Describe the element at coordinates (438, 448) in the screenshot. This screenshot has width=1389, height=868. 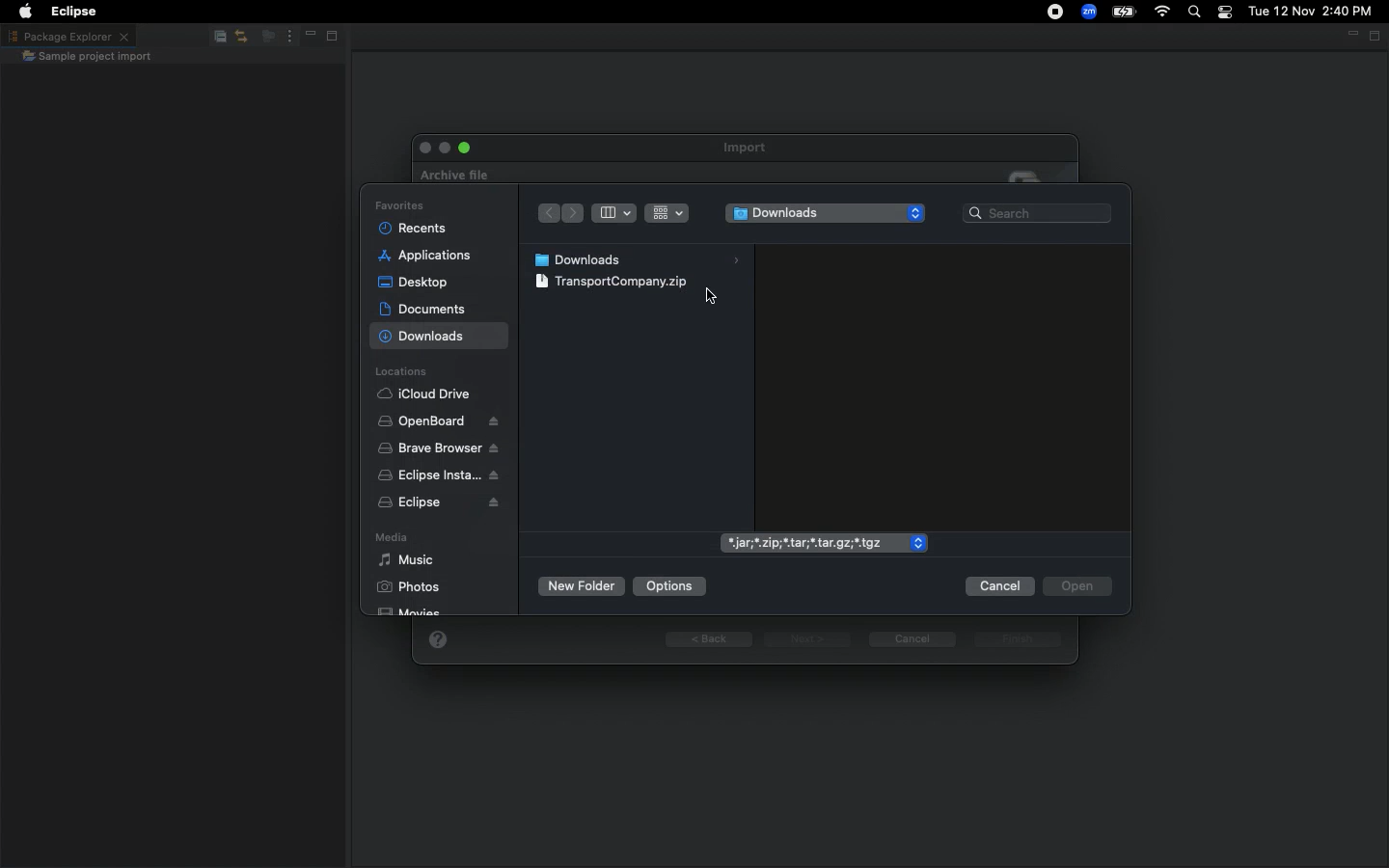
I see `Brave browser` at that location.